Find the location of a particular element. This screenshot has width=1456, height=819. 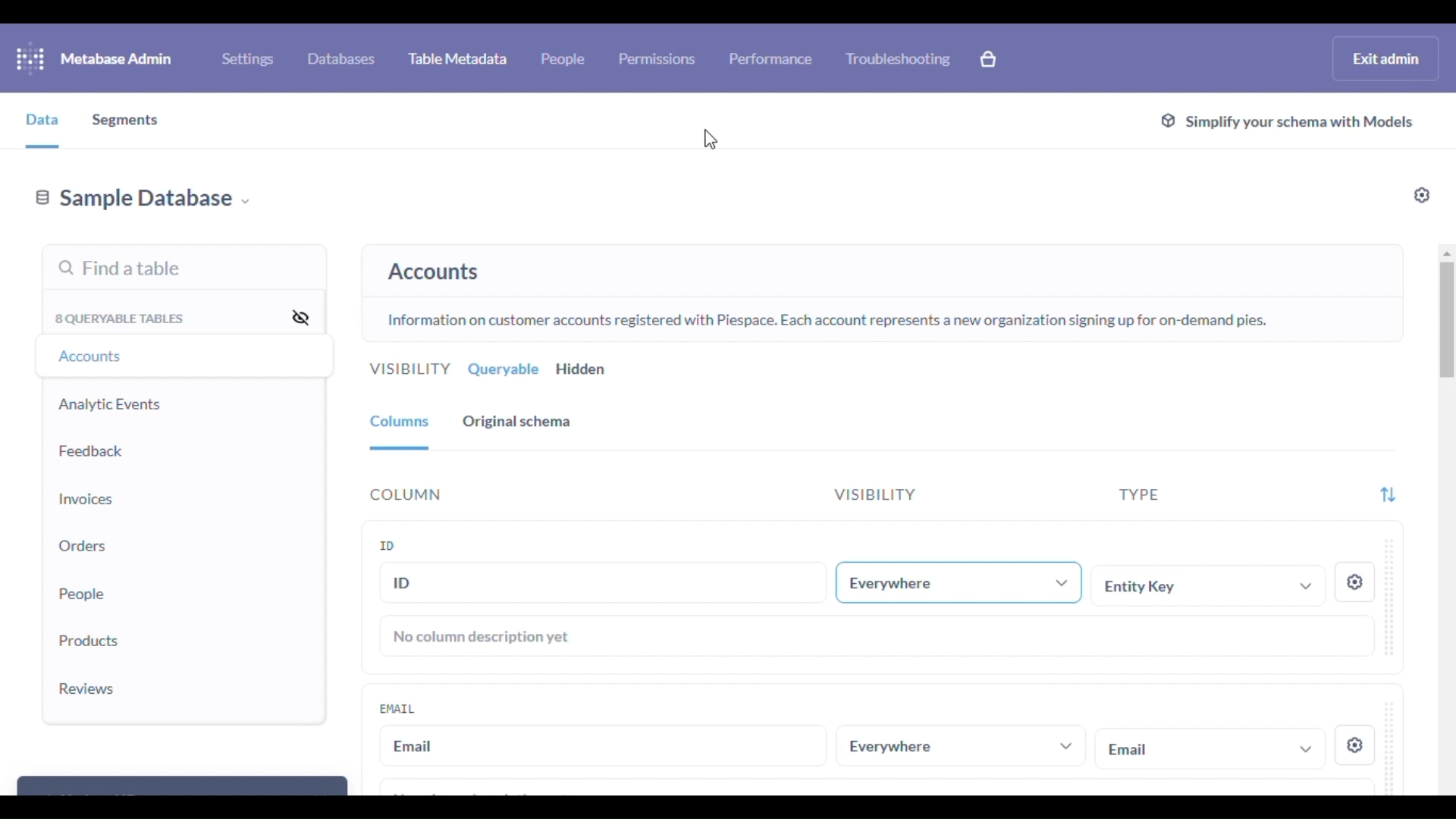

feedback is located at coordinates (92, 451).